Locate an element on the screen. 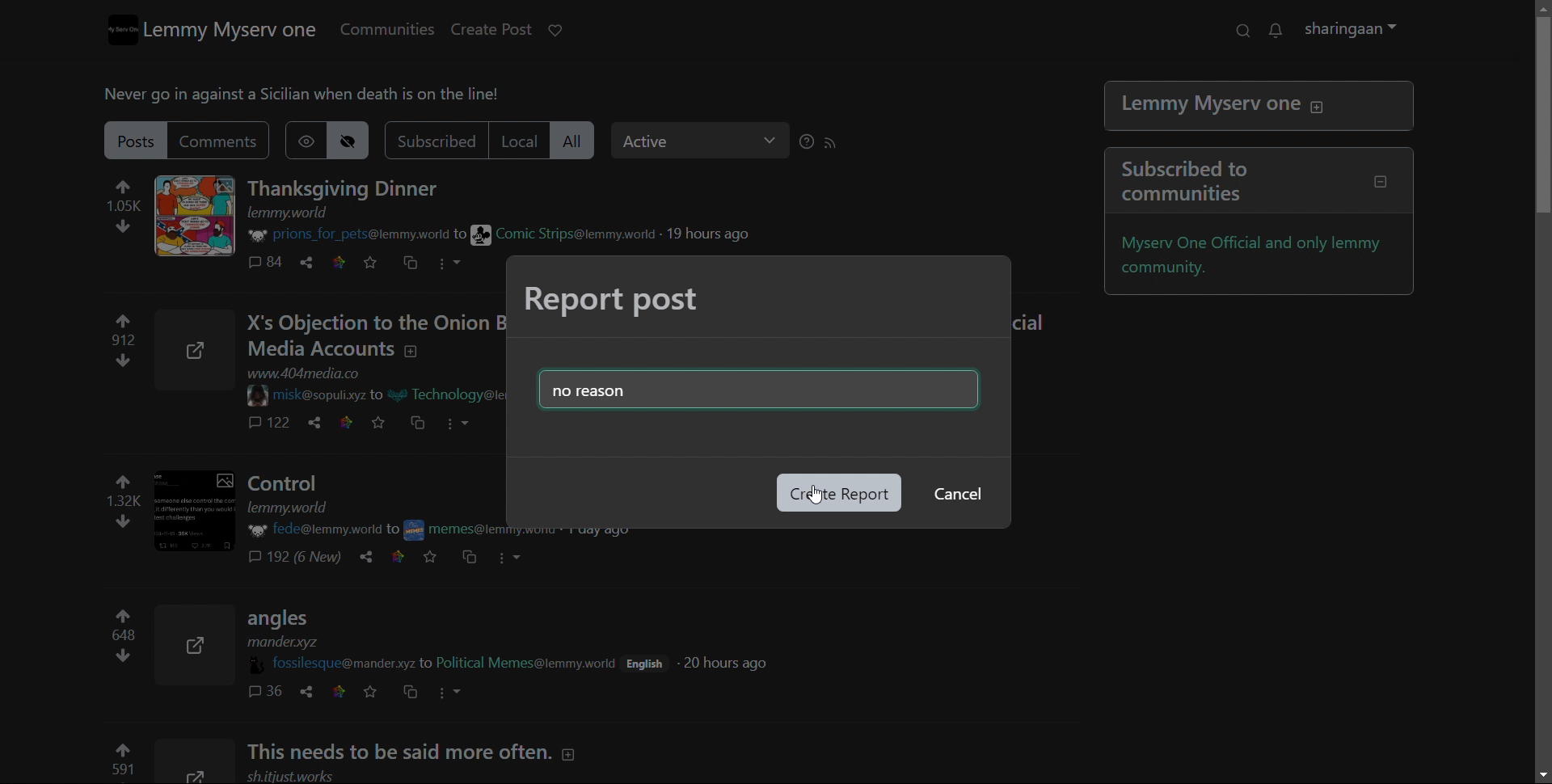 The height and width of the screenshot is (784, 1552). Scroll bar is located at coordinates (1541, 180).